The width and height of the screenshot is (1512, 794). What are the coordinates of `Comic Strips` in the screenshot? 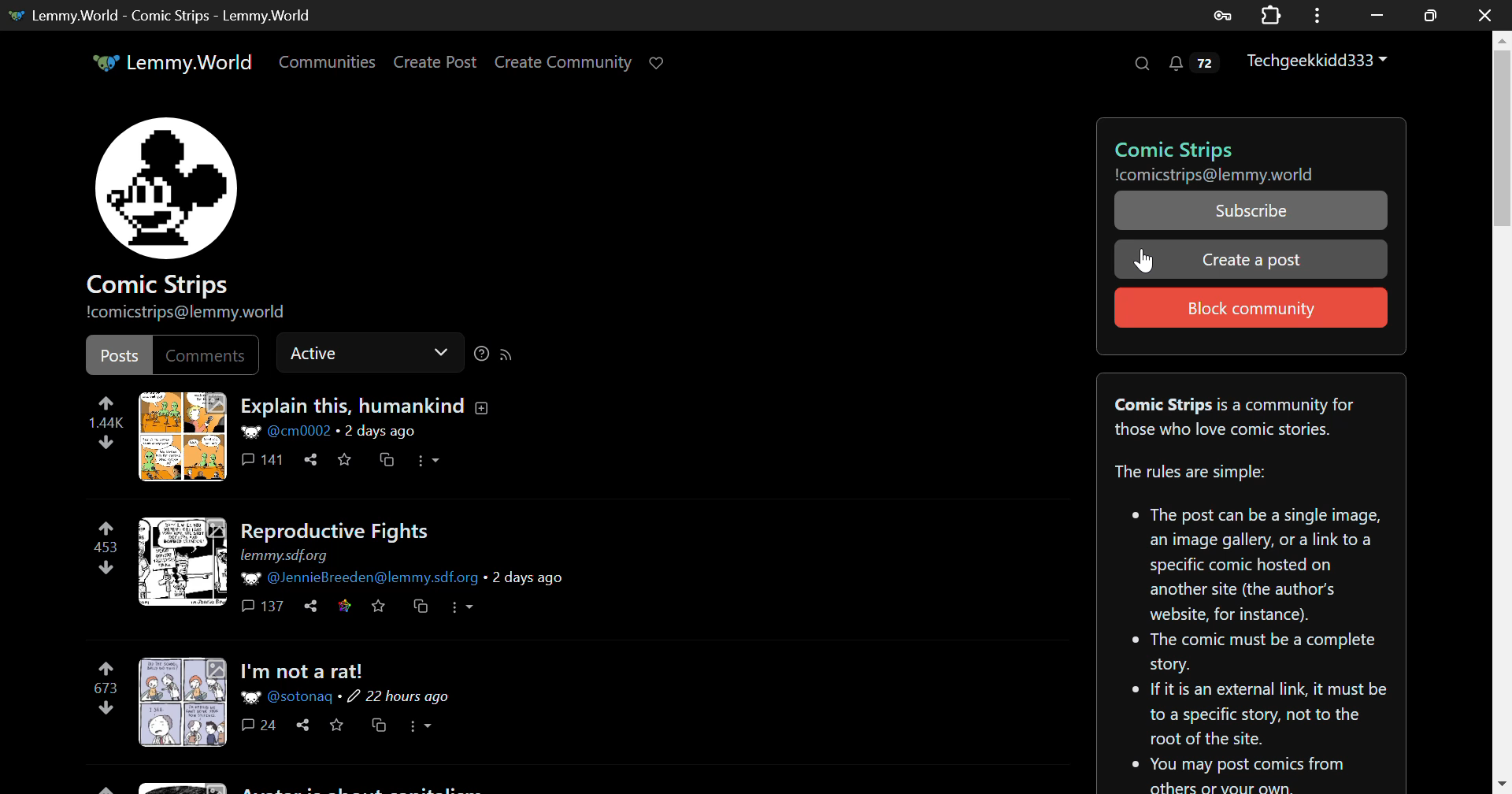 It's located at (161, 285).